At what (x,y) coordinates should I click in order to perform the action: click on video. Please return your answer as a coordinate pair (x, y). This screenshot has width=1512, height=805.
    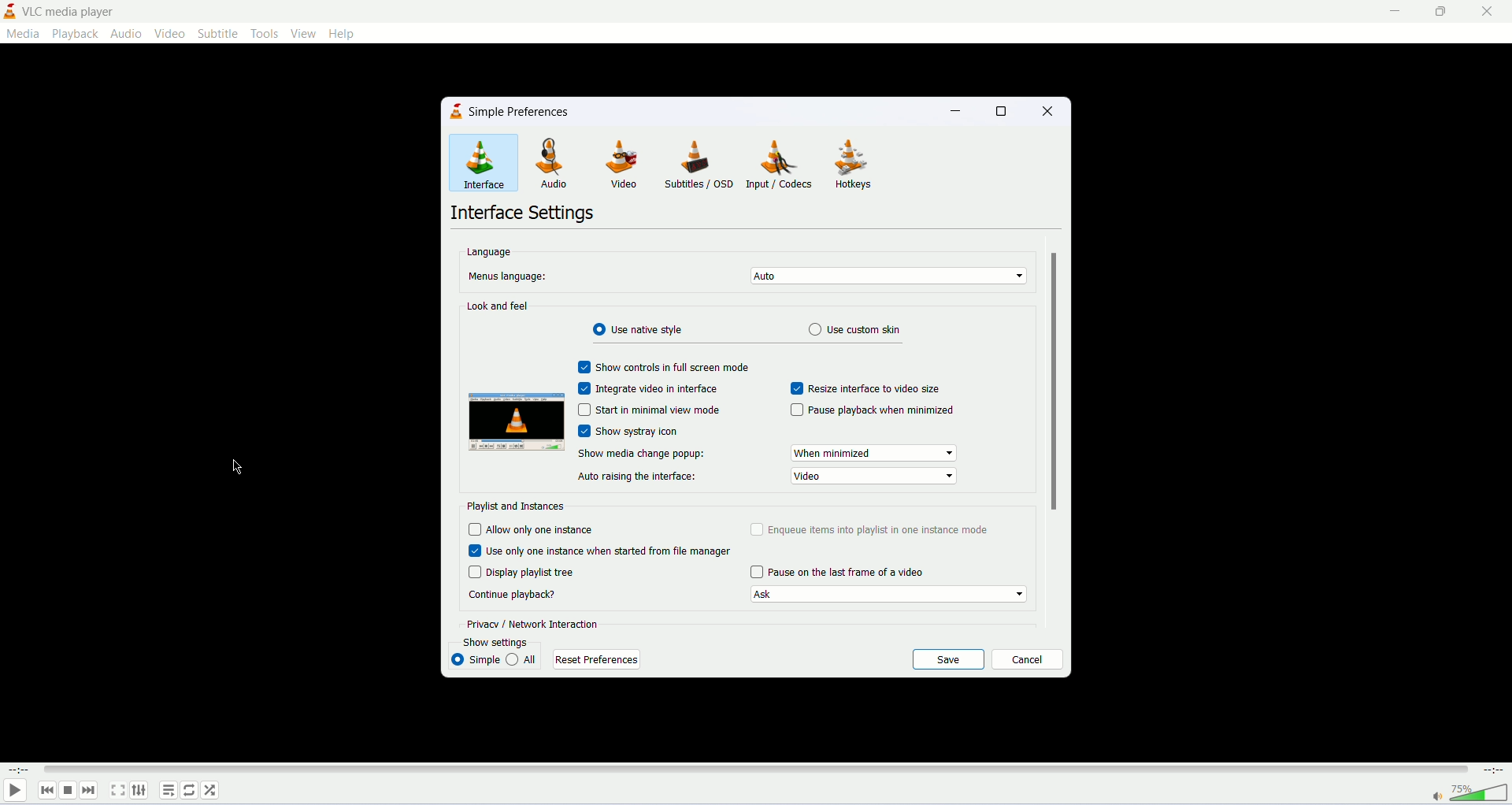
    Looking at the image, I should click on (619, 165).